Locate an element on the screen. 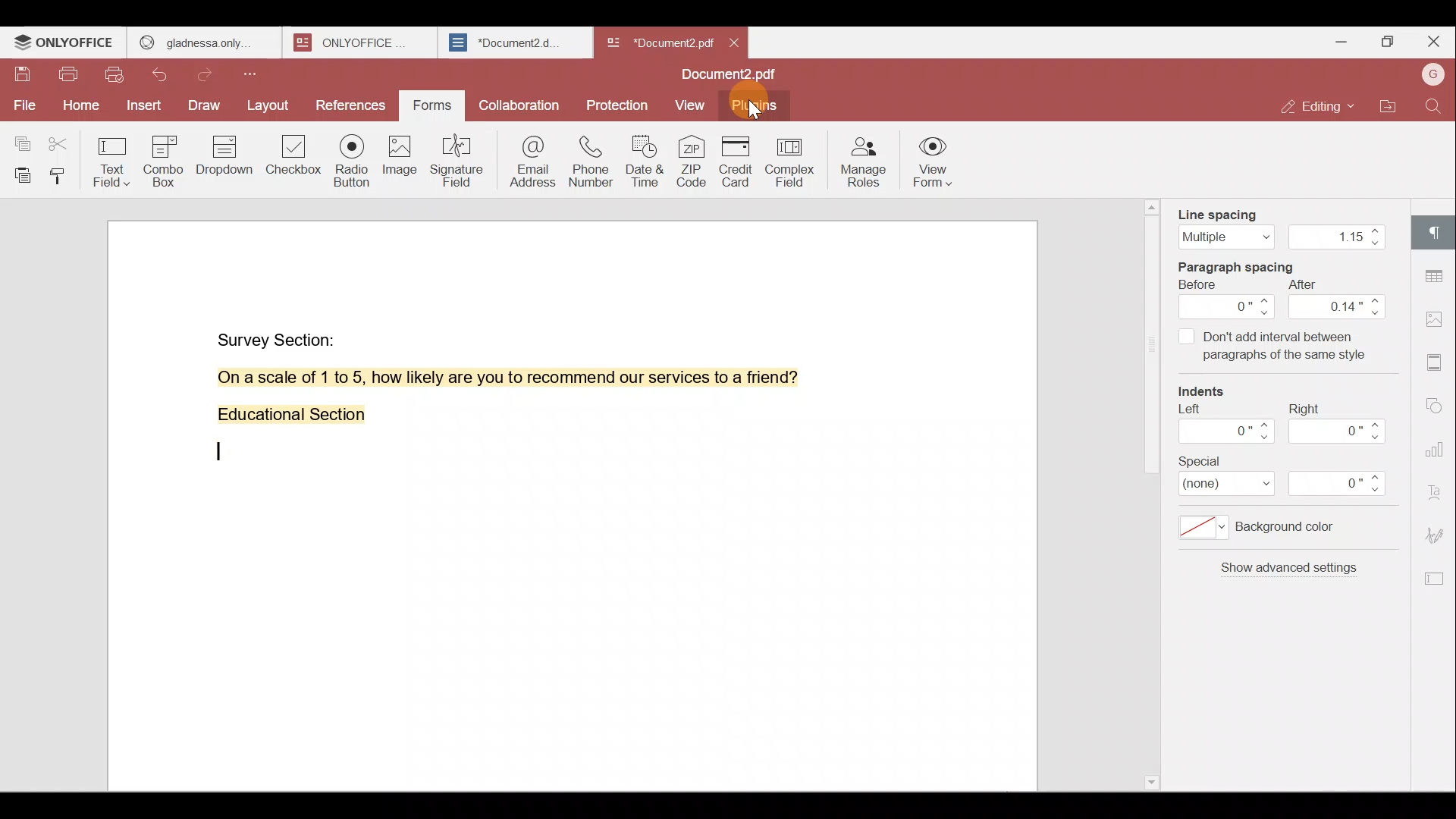 Image resolution: width=1456 pixels, height=819 pixels. ONLYOFFICE is located at coordinates (65, 42).